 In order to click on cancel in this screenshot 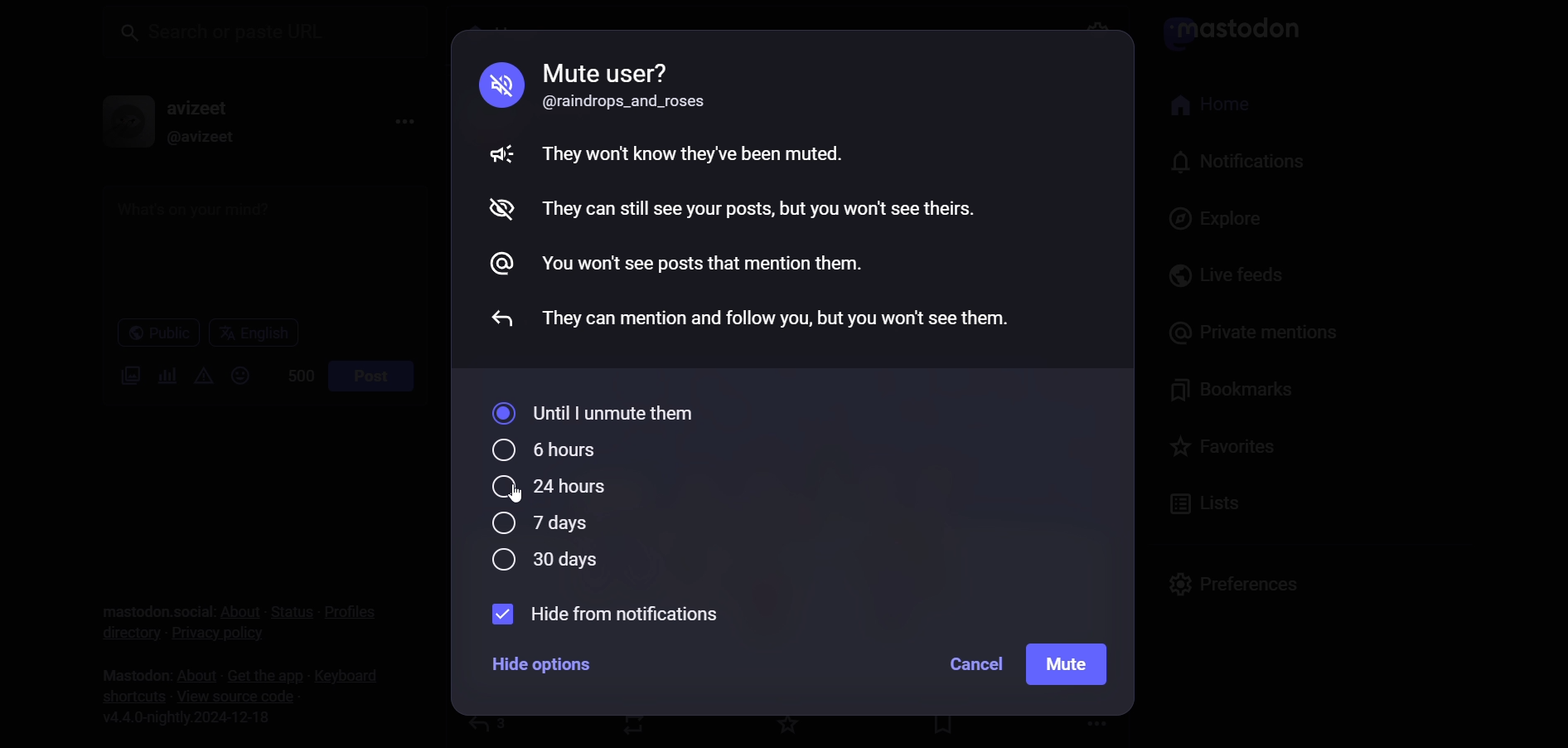, I will do `click(965, 666)`.